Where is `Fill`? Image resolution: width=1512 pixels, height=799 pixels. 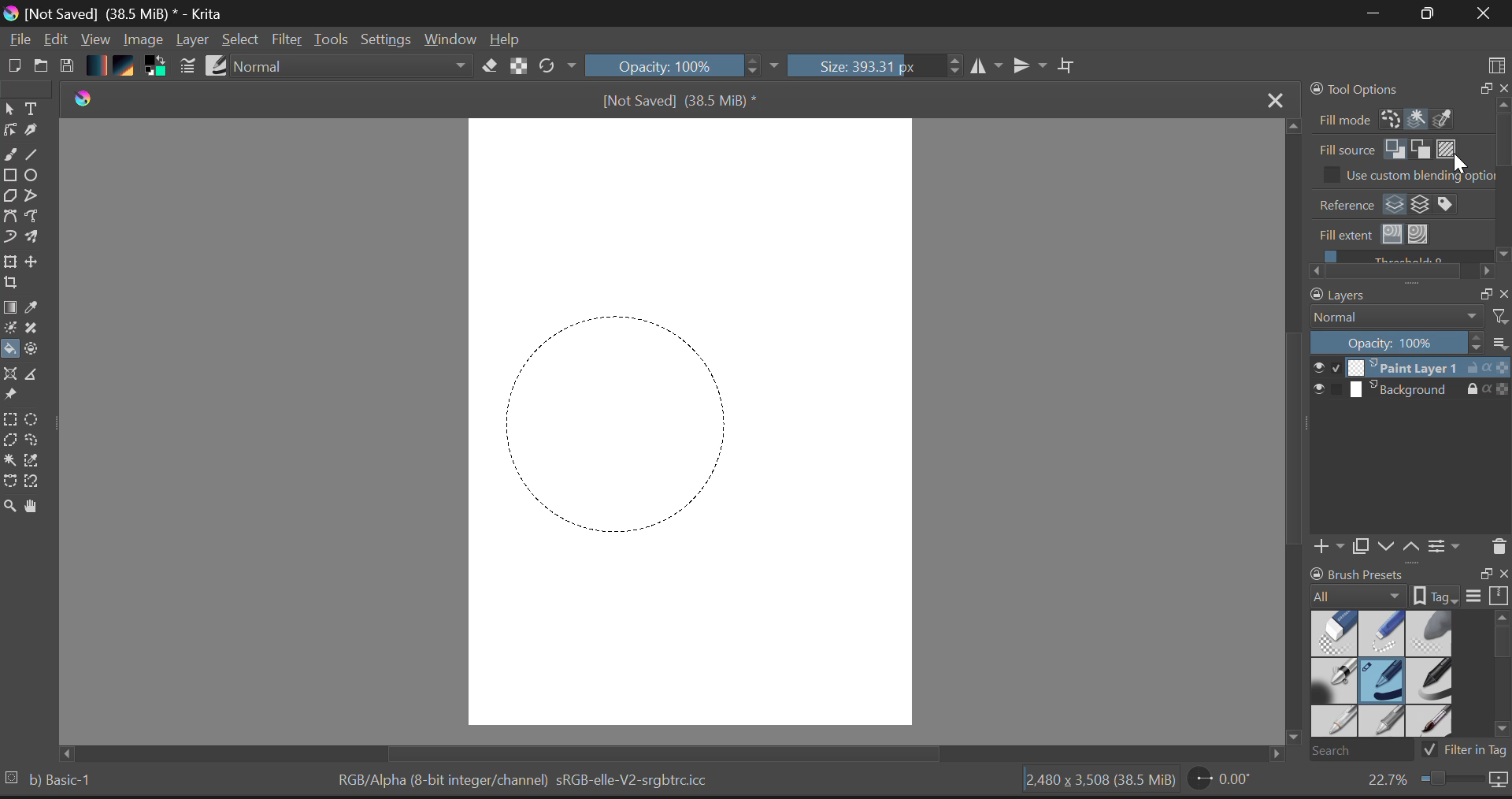
Fill is located at coordinates (11, 349).